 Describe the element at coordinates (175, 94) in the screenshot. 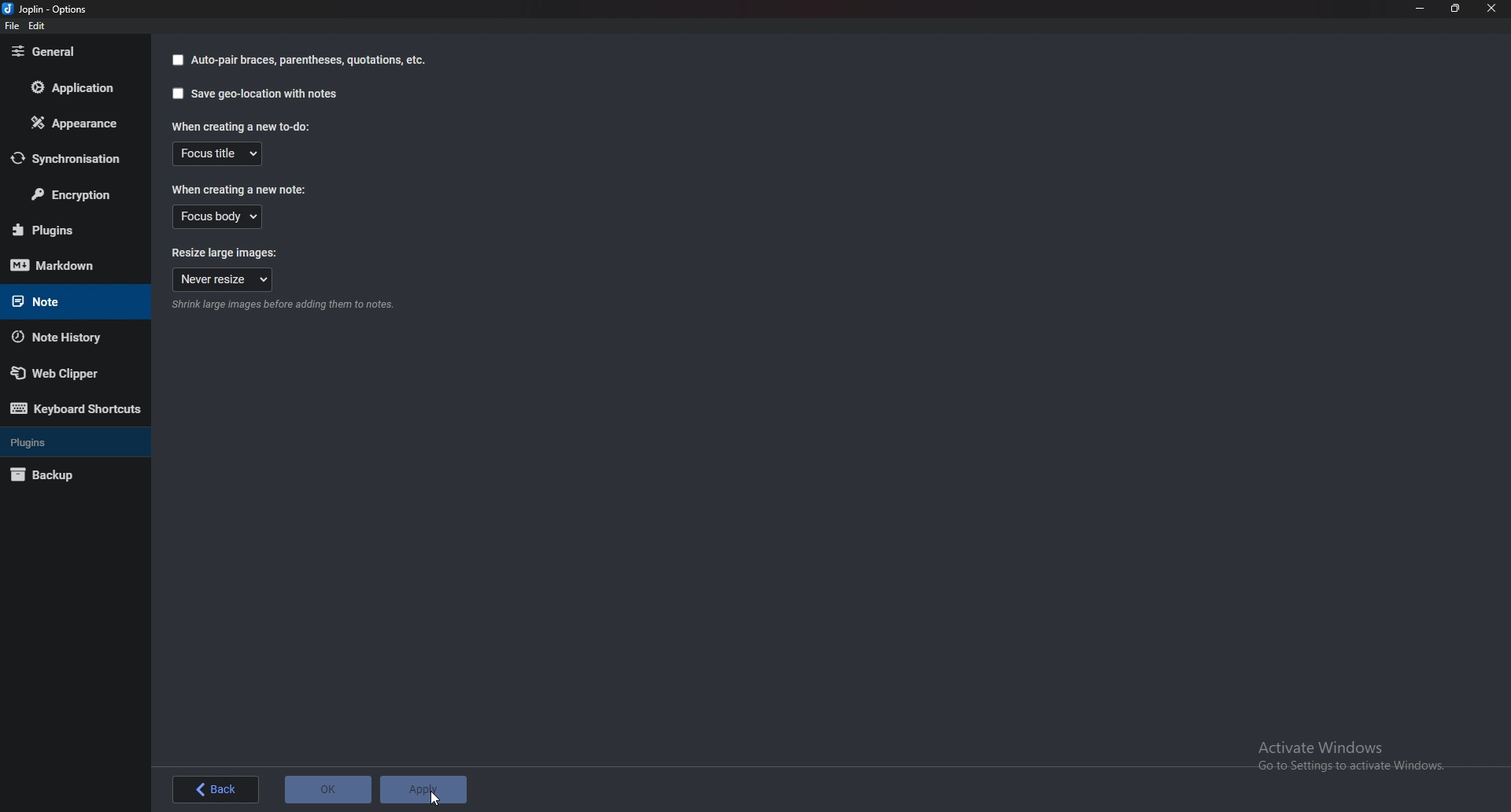

I see `Checkbox ` at that location.